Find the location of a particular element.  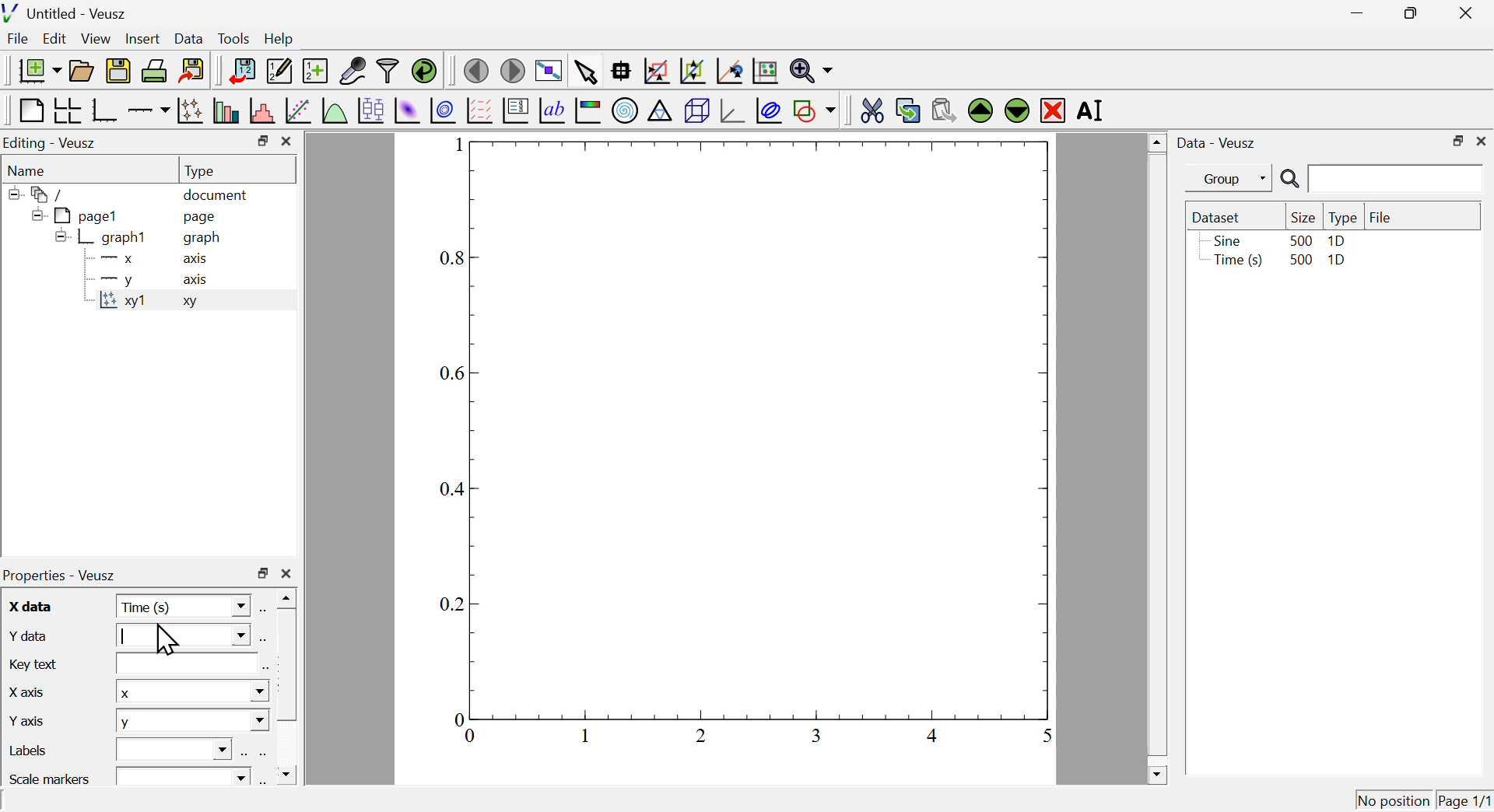

y is located at coordinates (114, 281).